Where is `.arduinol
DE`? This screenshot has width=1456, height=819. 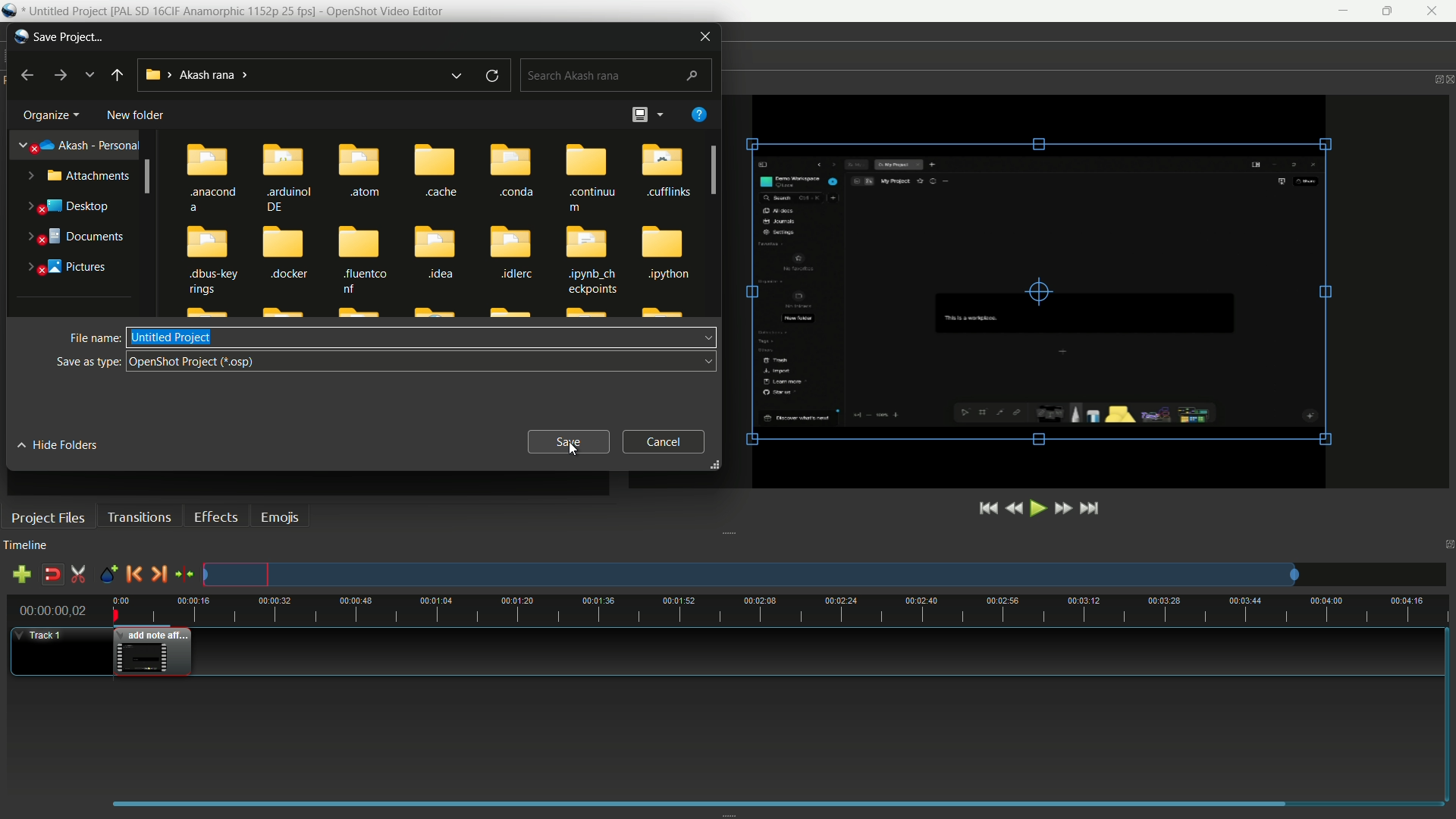 .arduinol
DE is located at coordinates (289, 175).